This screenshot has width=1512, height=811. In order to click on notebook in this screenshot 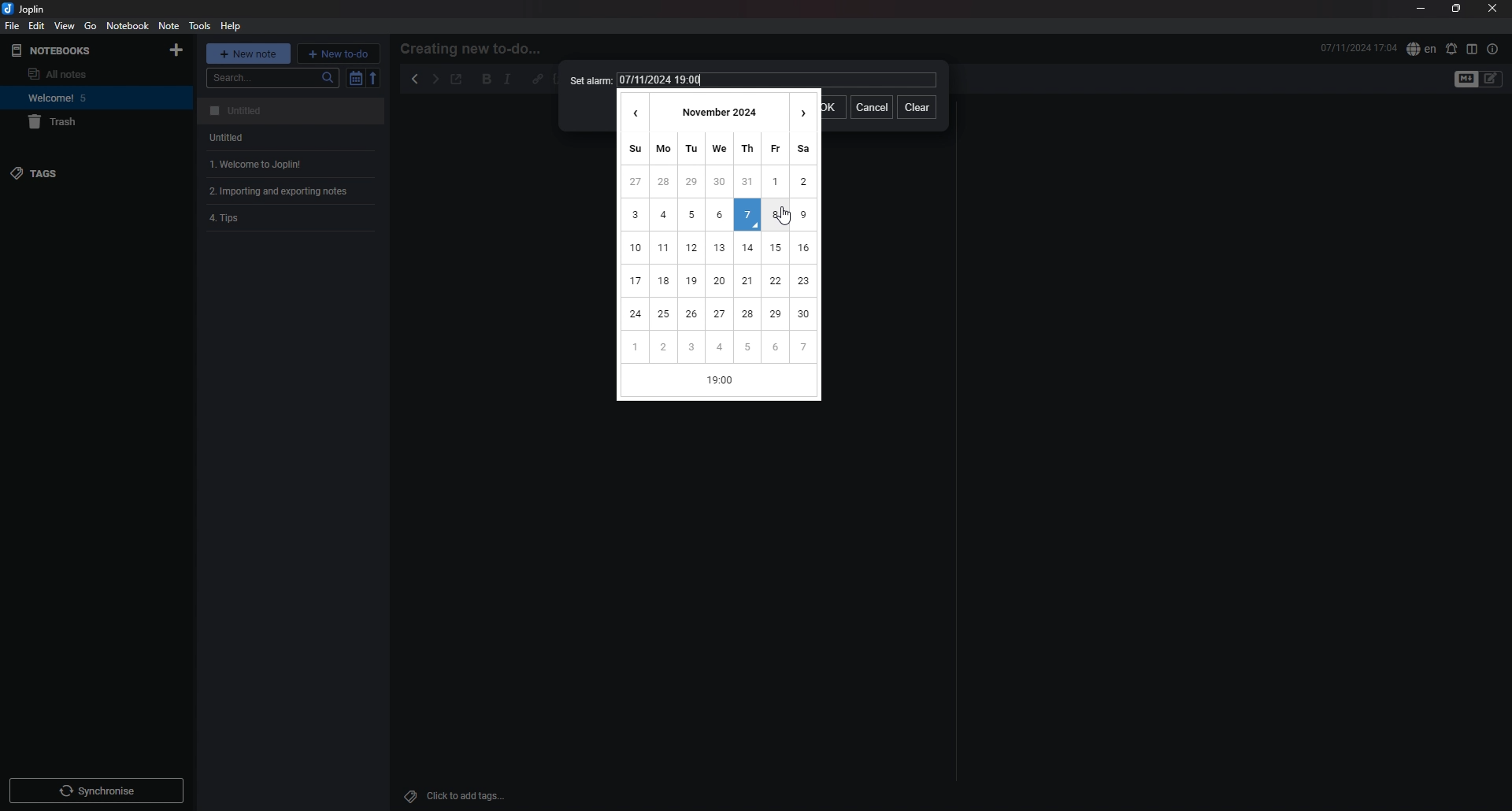, I will do `click(128, 25)`.